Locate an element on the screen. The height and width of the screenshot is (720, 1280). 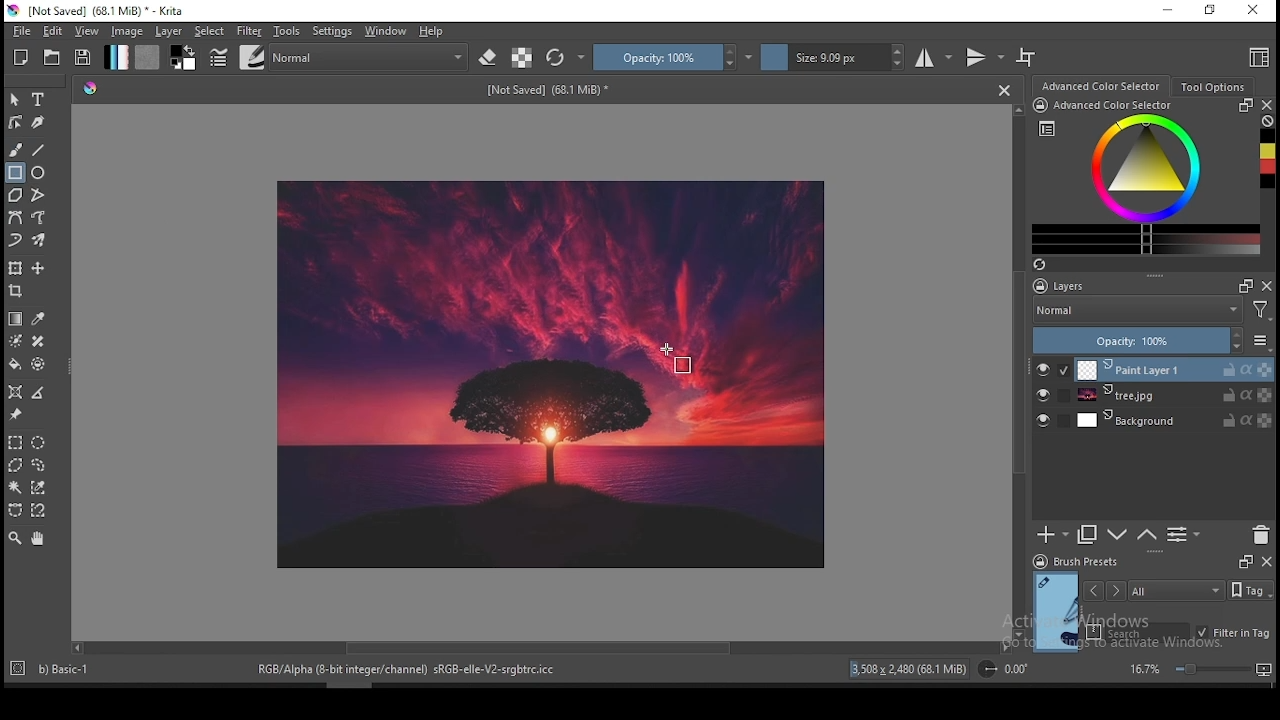
view or change layer properties is located at coordinates (1184, 535).